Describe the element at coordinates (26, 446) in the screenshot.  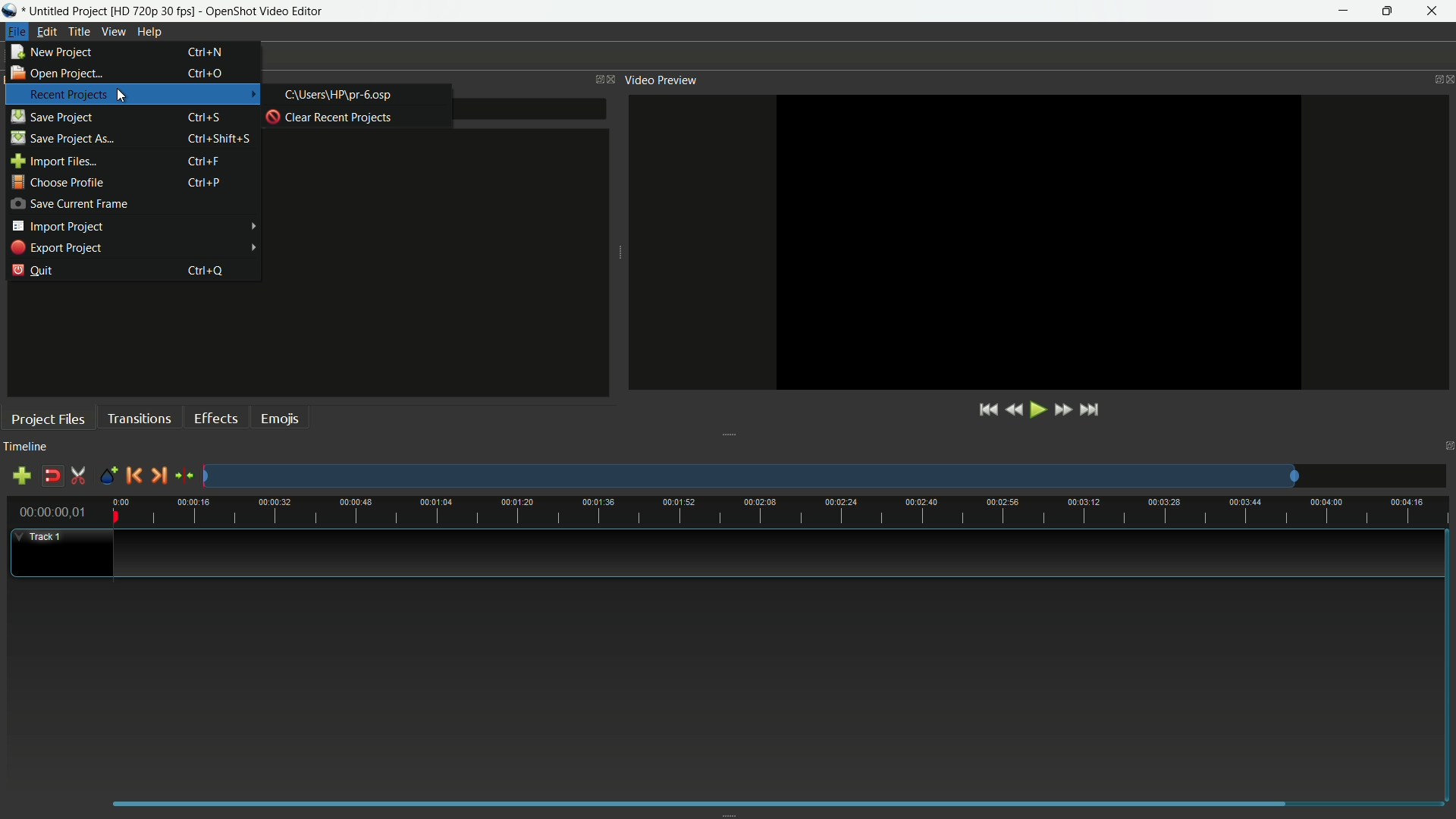
I see `timeline` at that location.